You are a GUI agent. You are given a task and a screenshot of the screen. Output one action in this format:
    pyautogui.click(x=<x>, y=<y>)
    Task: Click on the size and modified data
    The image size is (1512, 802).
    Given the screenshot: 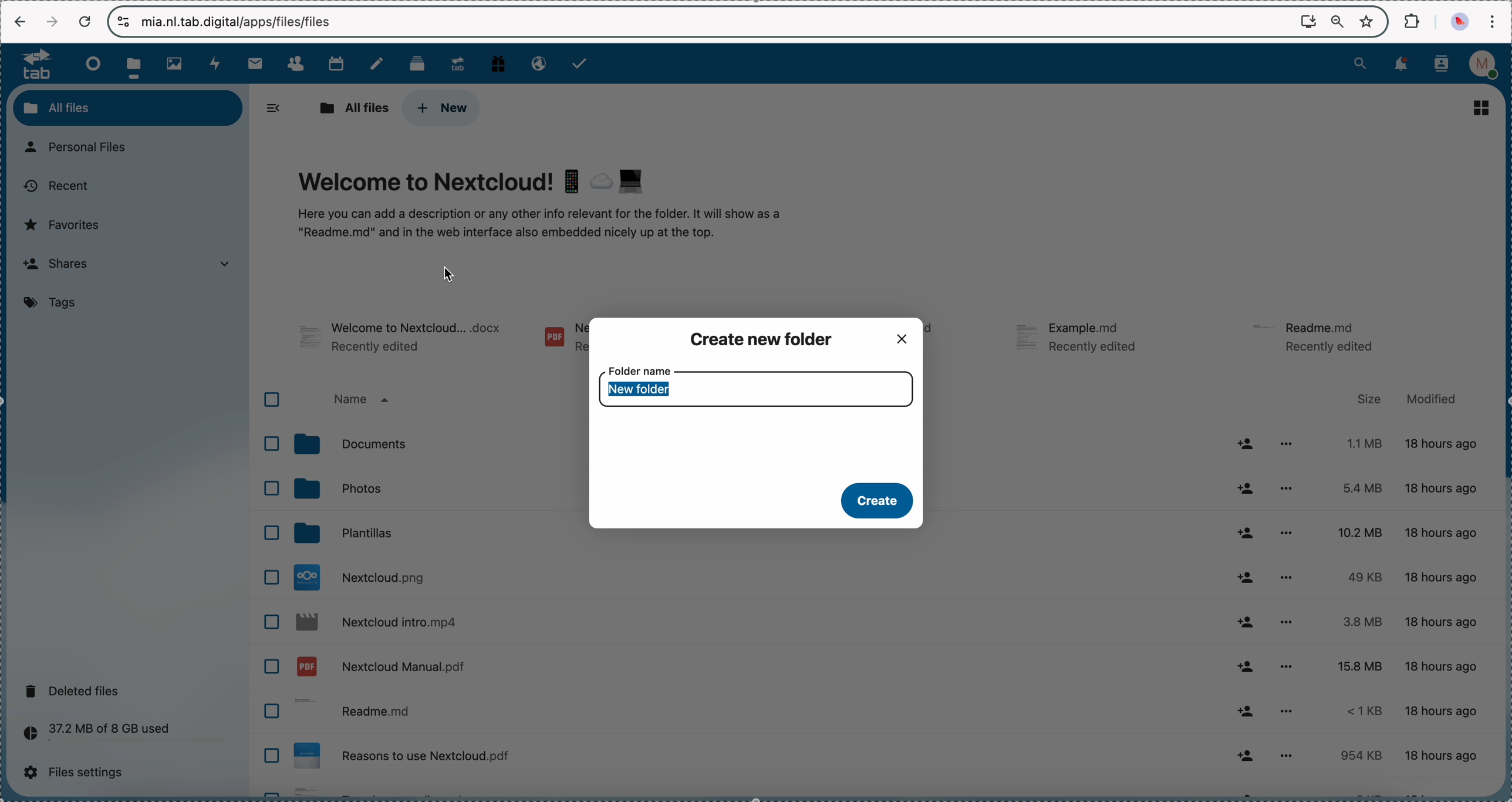 What is the action you would take?
    pyautogui.click(x=1414, y=601)
    